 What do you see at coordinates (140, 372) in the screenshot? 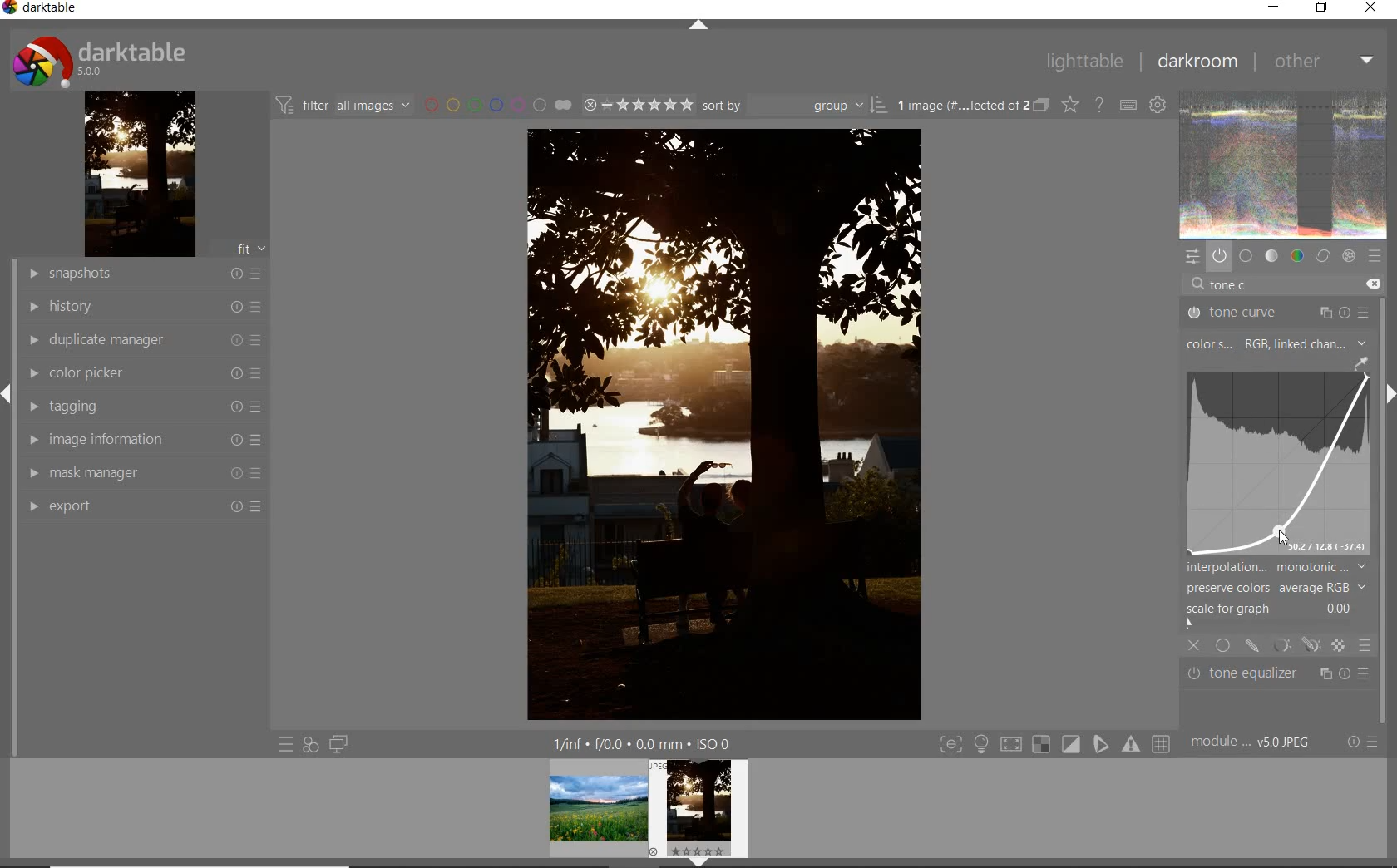
I see `color picker` at bounding box center [140, 372].